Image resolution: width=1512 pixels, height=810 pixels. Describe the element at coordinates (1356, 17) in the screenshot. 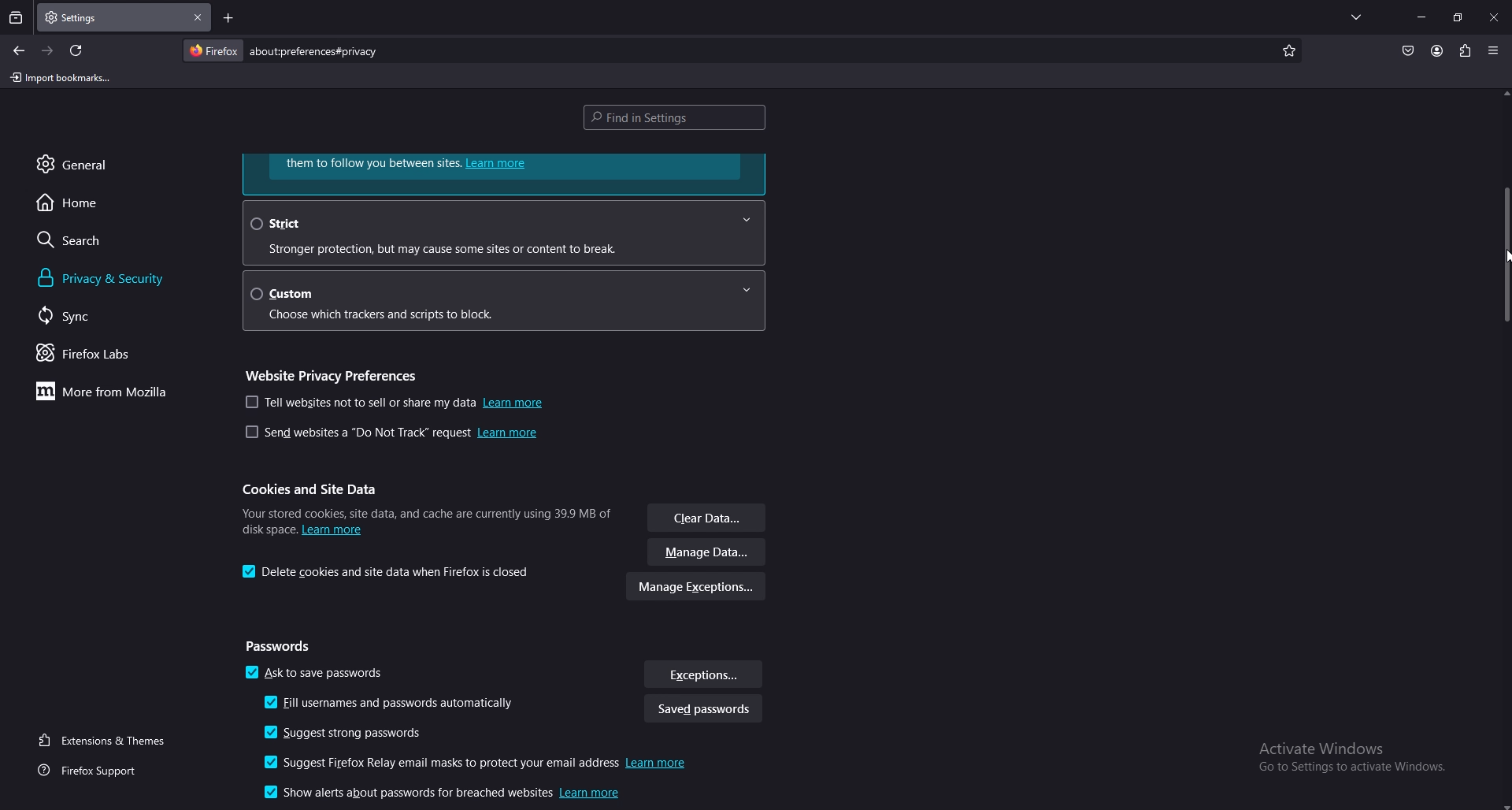

I see `list all tabs` at that location.